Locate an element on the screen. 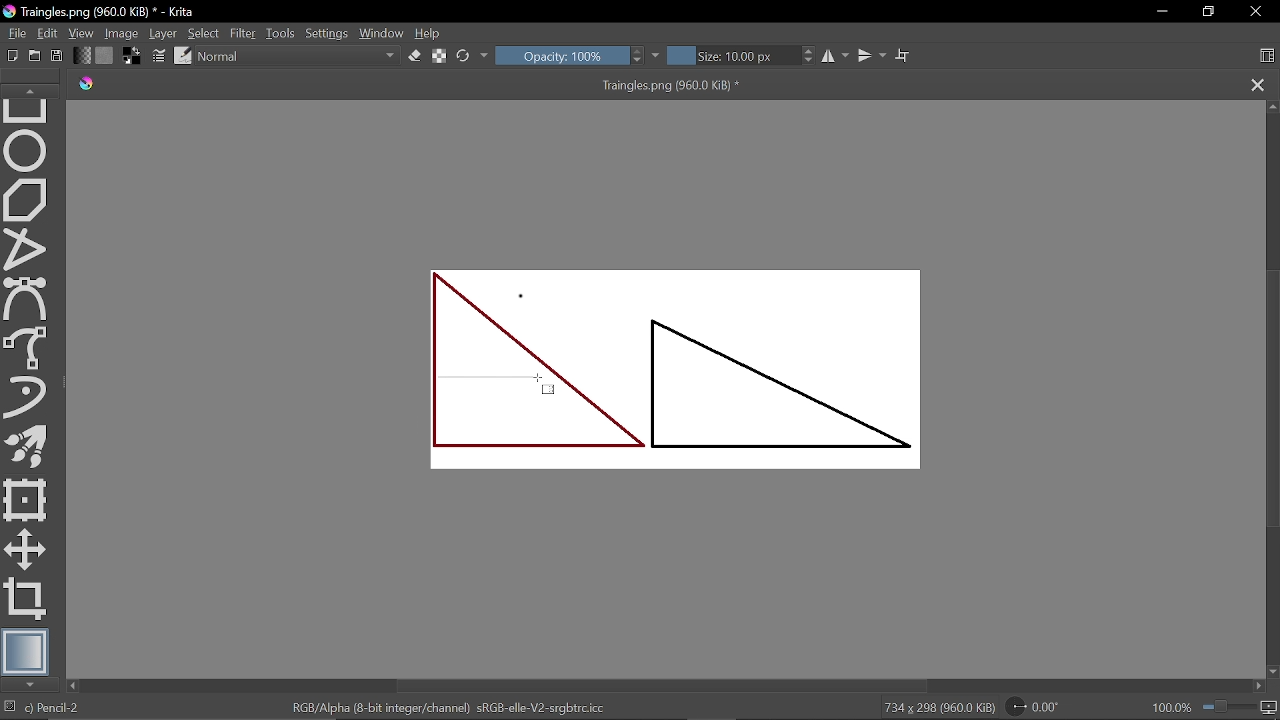  734 x 298 (960.0 KiB) is located at coordinates (938, 708).